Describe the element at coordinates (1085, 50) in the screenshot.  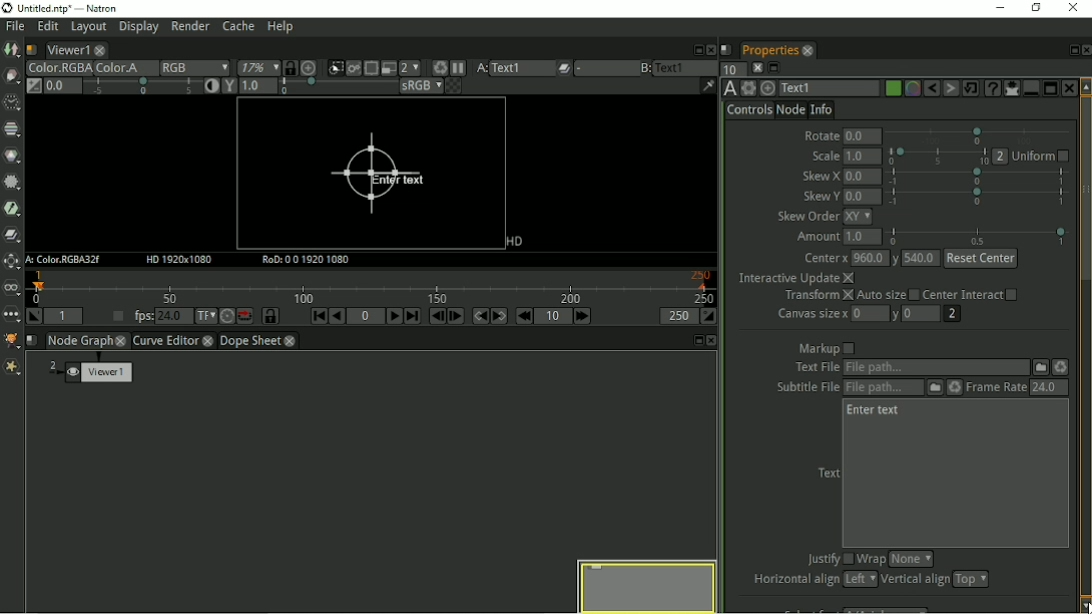
I see `Close` at that location.